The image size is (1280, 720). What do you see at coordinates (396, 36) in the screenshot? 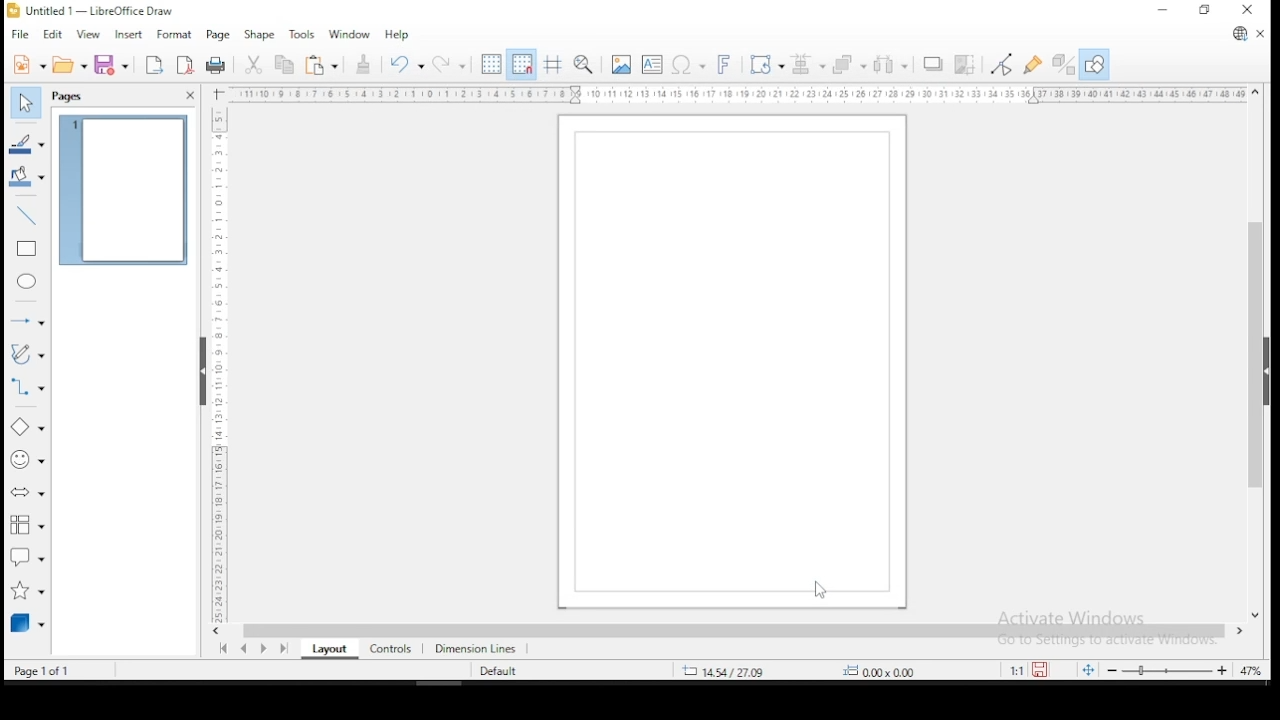
I see `help` at bounding box center [396, 36].